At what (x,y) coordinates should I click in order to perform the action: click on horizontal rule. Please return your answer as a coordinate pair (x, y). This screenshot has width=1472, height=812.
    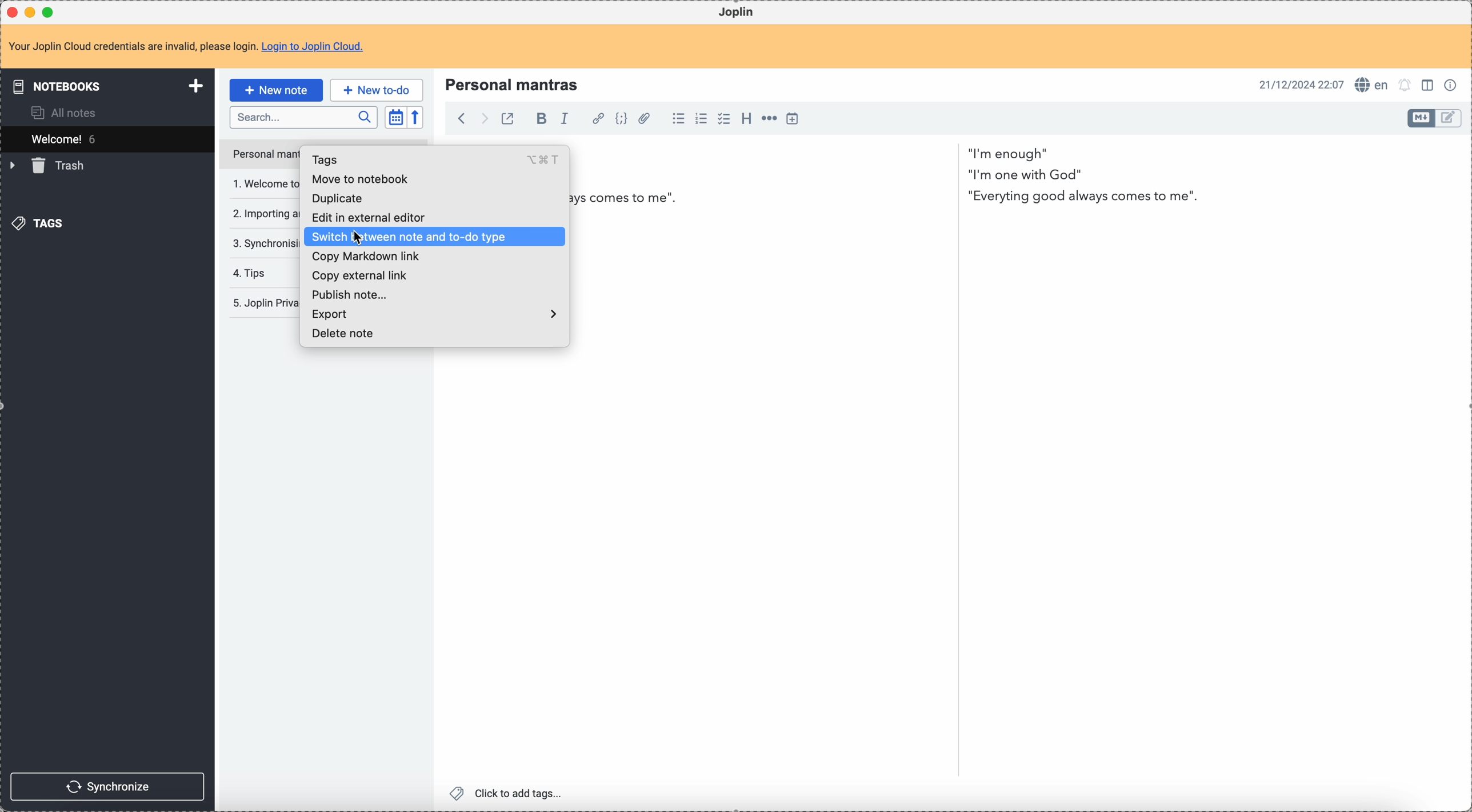
    Looking at the image, I should click on (769, 120).